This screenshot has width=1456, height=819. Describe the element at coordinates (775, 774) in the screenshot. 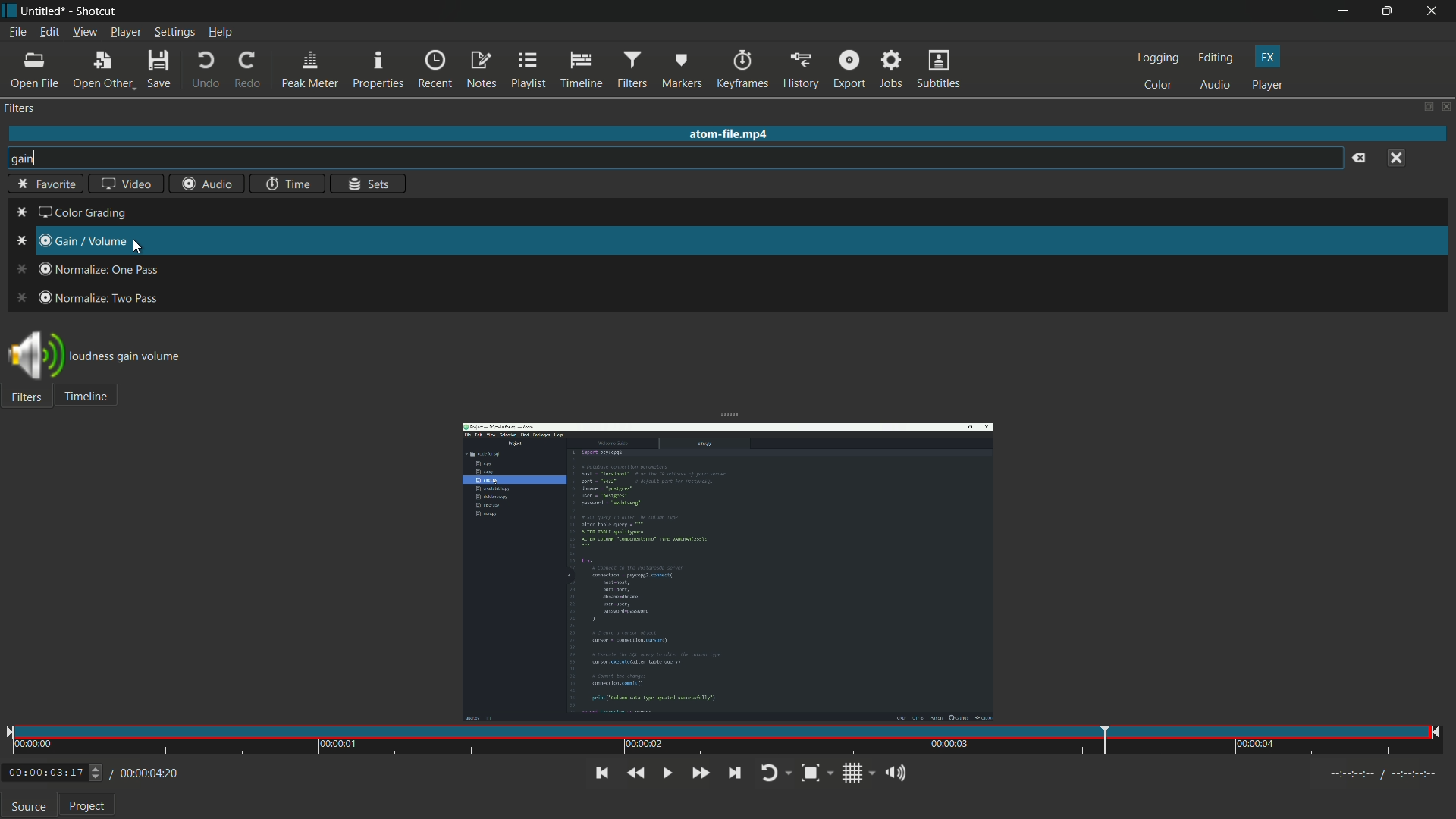

I see `toggle player looping` at that location.